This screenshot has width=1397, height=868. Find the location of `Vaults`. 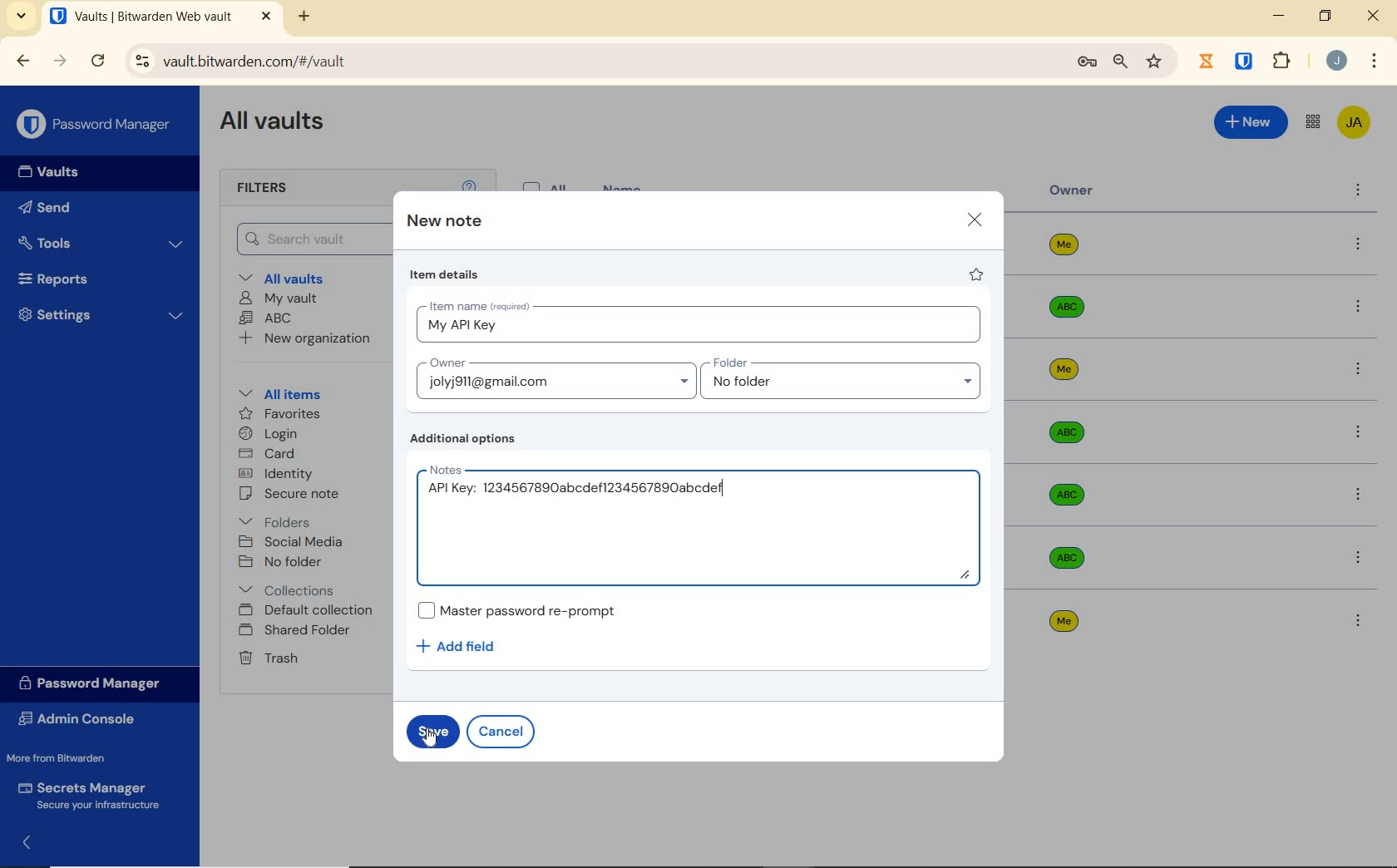

Vaults is located at coordinates (57, 174).